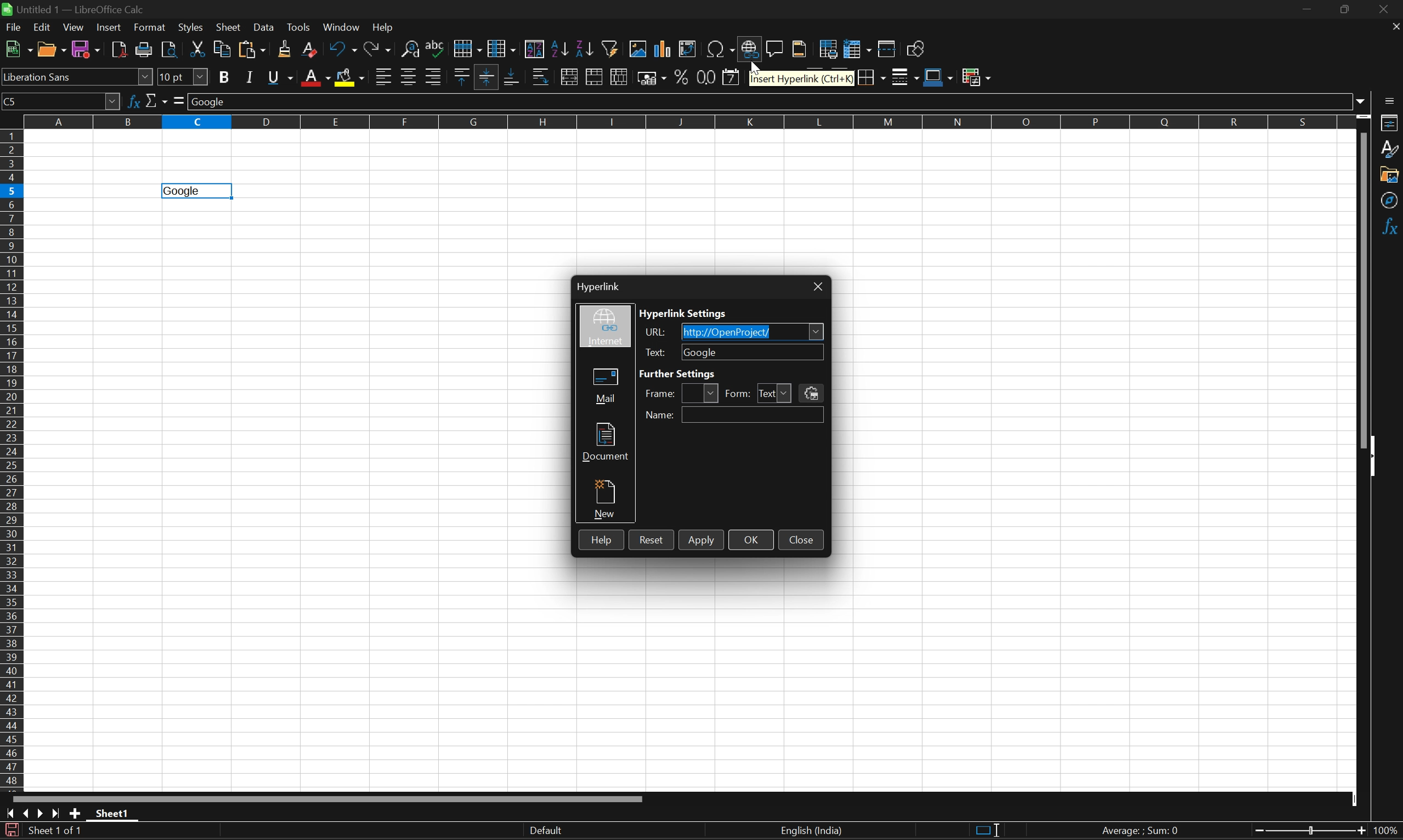 This screenshot has height=840, width=1403. What do you see at coordinates (766, 390) in the screenshot?
I see `Text` at bounding box center [766, 390].